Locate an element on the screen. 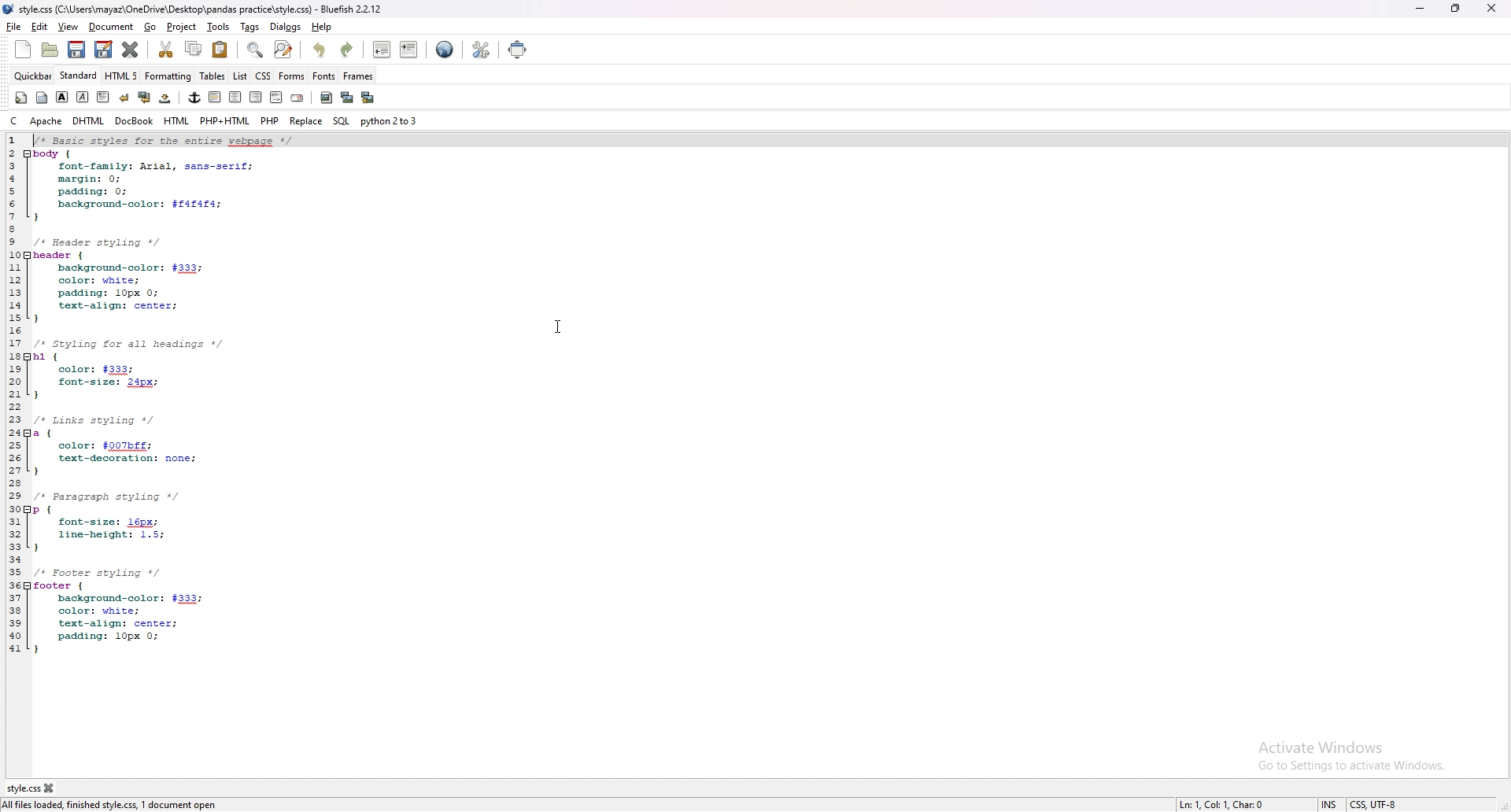 The image size is (1511, 812). quickstart is located at coordinates (20, 98).